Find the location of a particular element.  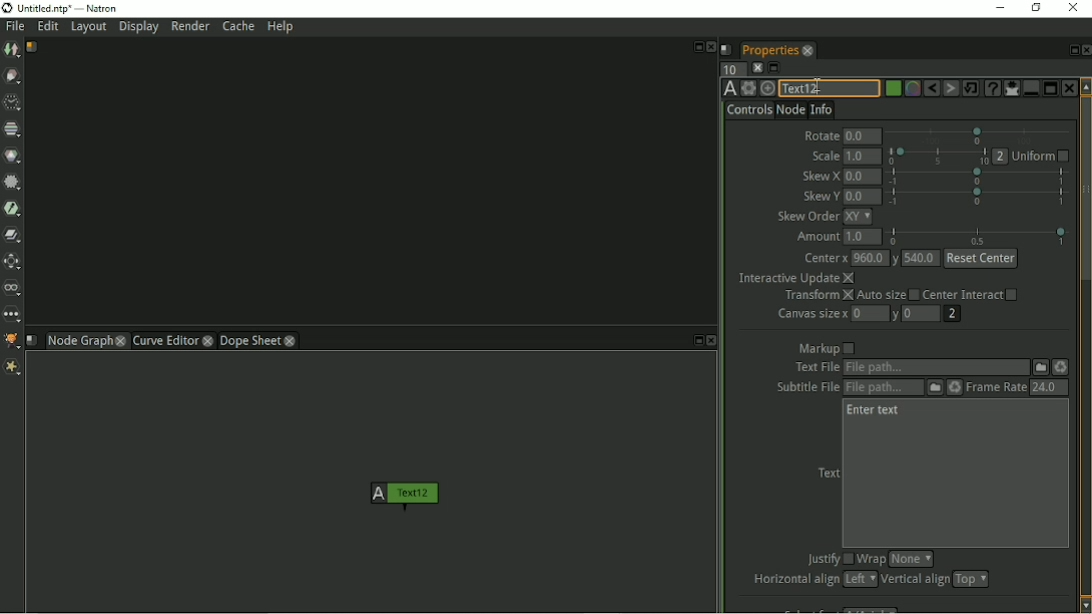

left is located at coordinates (858, 579).